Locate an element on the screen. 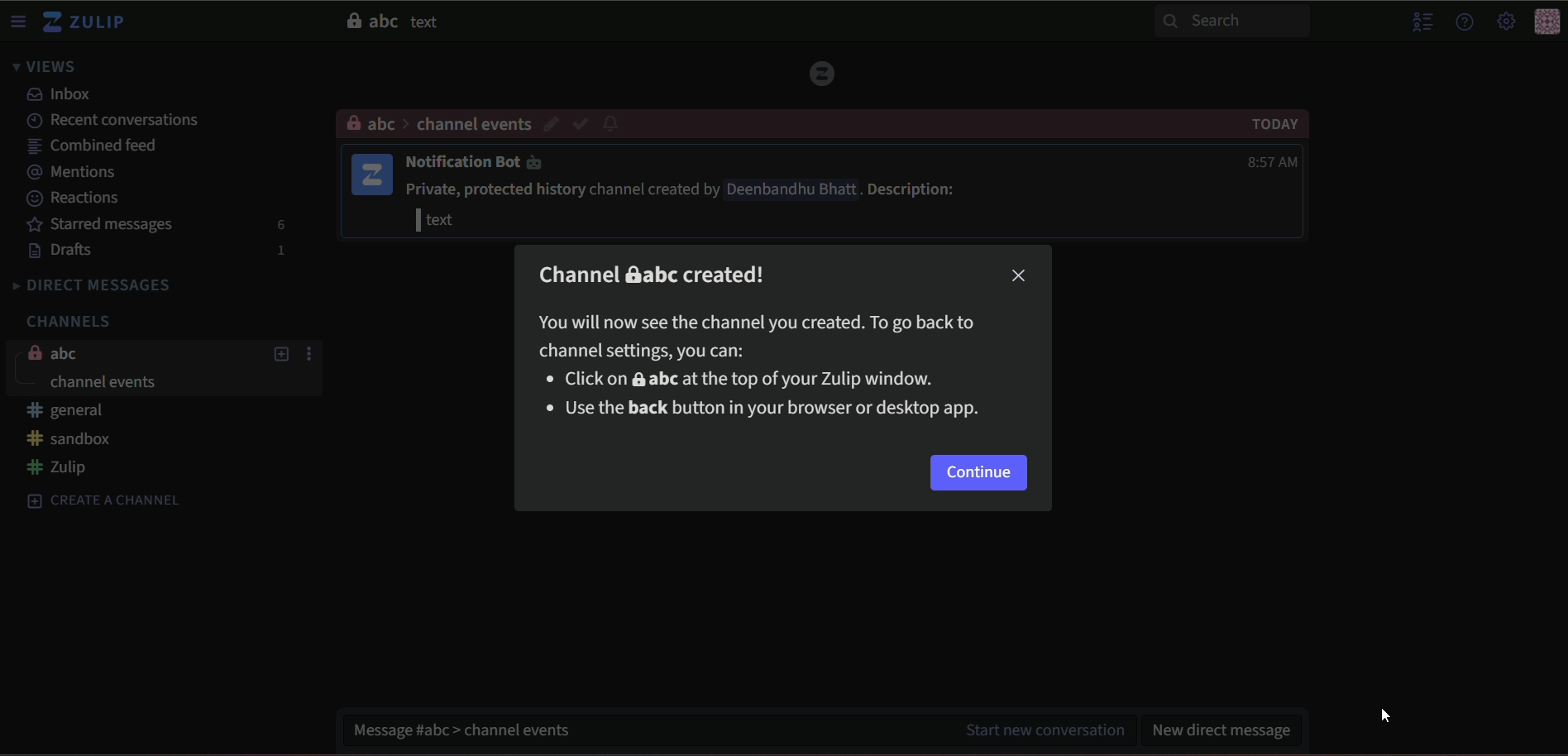 The width and height of the screenshot is (1568, 756). new direct message is located at coordinates (1230, 731).